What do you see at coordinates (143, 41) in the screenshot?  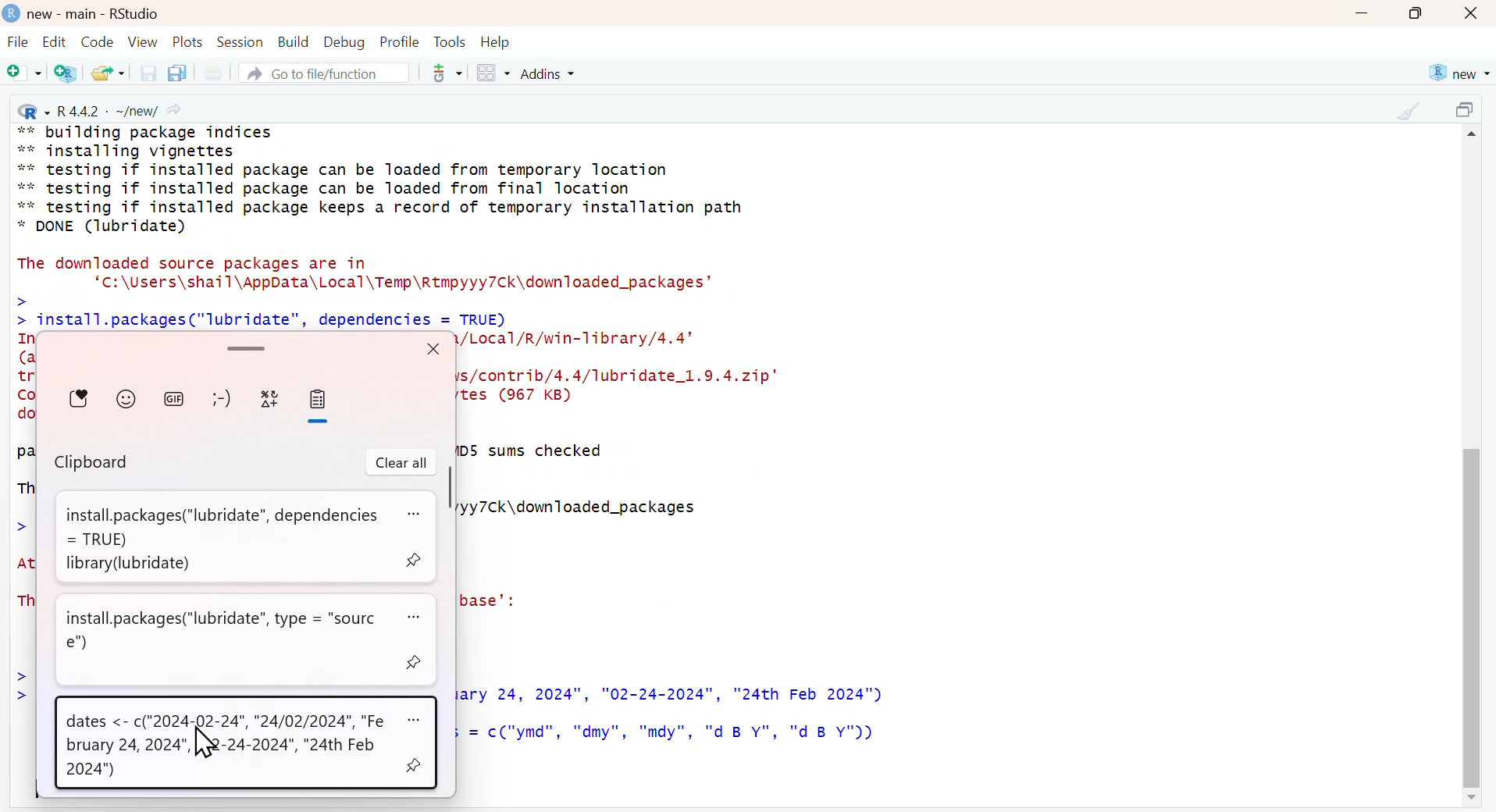 I see `View` at bounding box center [143, 41].